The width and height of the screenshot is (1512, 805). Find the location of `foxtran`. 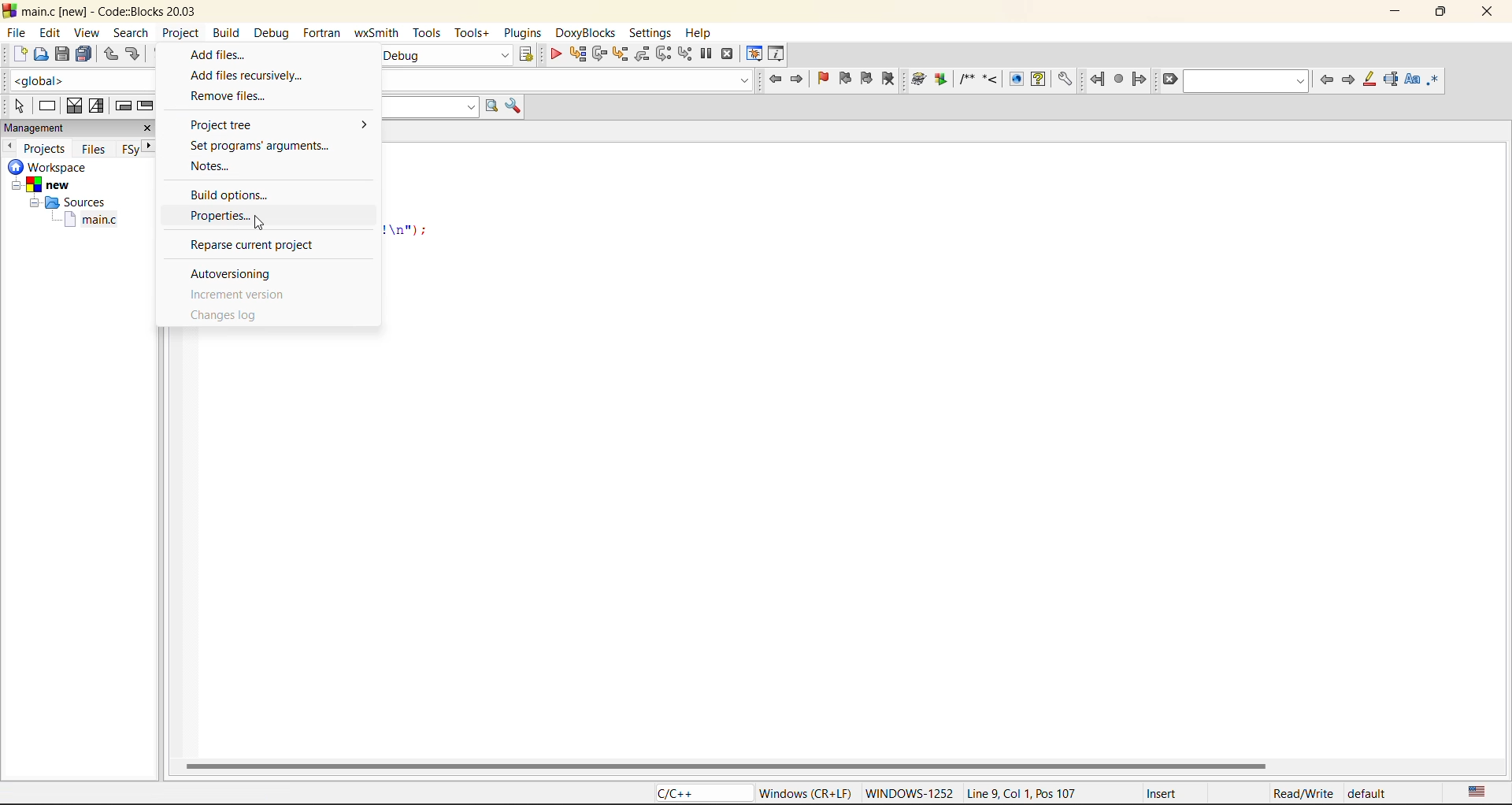

foxtran is located at coordinates (324, 34).